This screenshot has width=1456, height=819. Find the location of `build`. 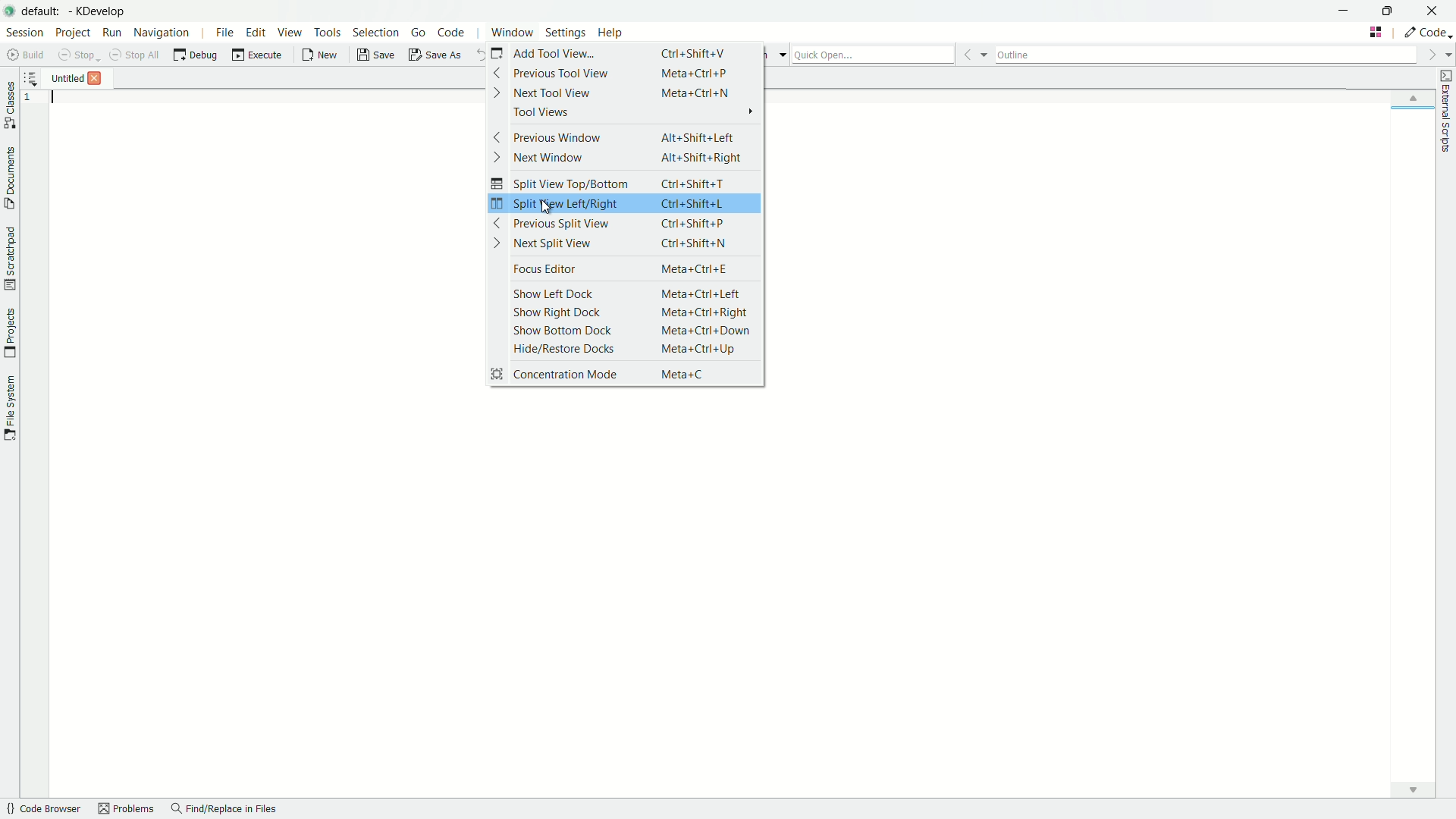

build is located at coordinates (27, 55).